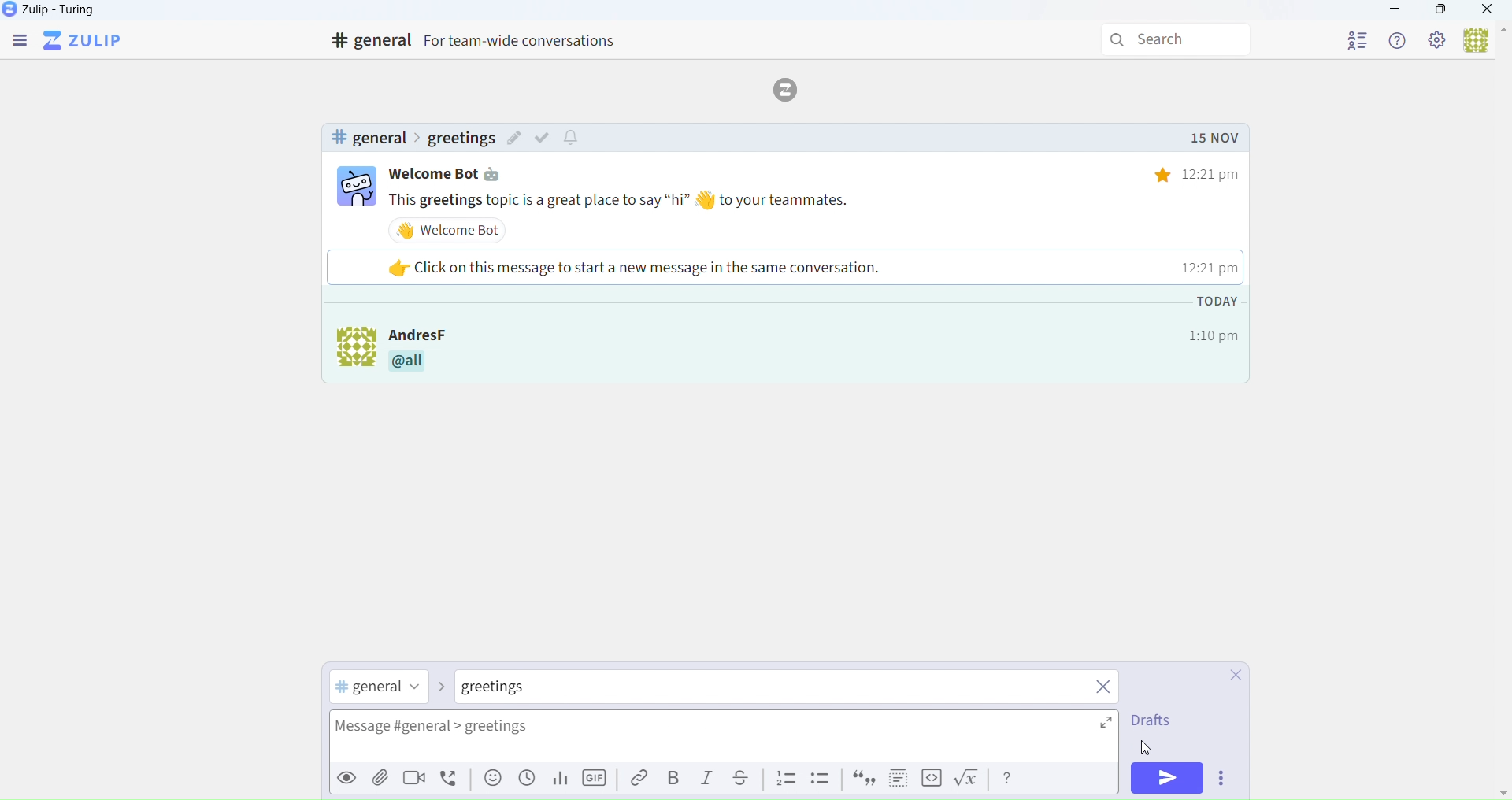 The height and width of the screenshot is (800, 1512). I want to click on Drafts, so click(1150, 724).